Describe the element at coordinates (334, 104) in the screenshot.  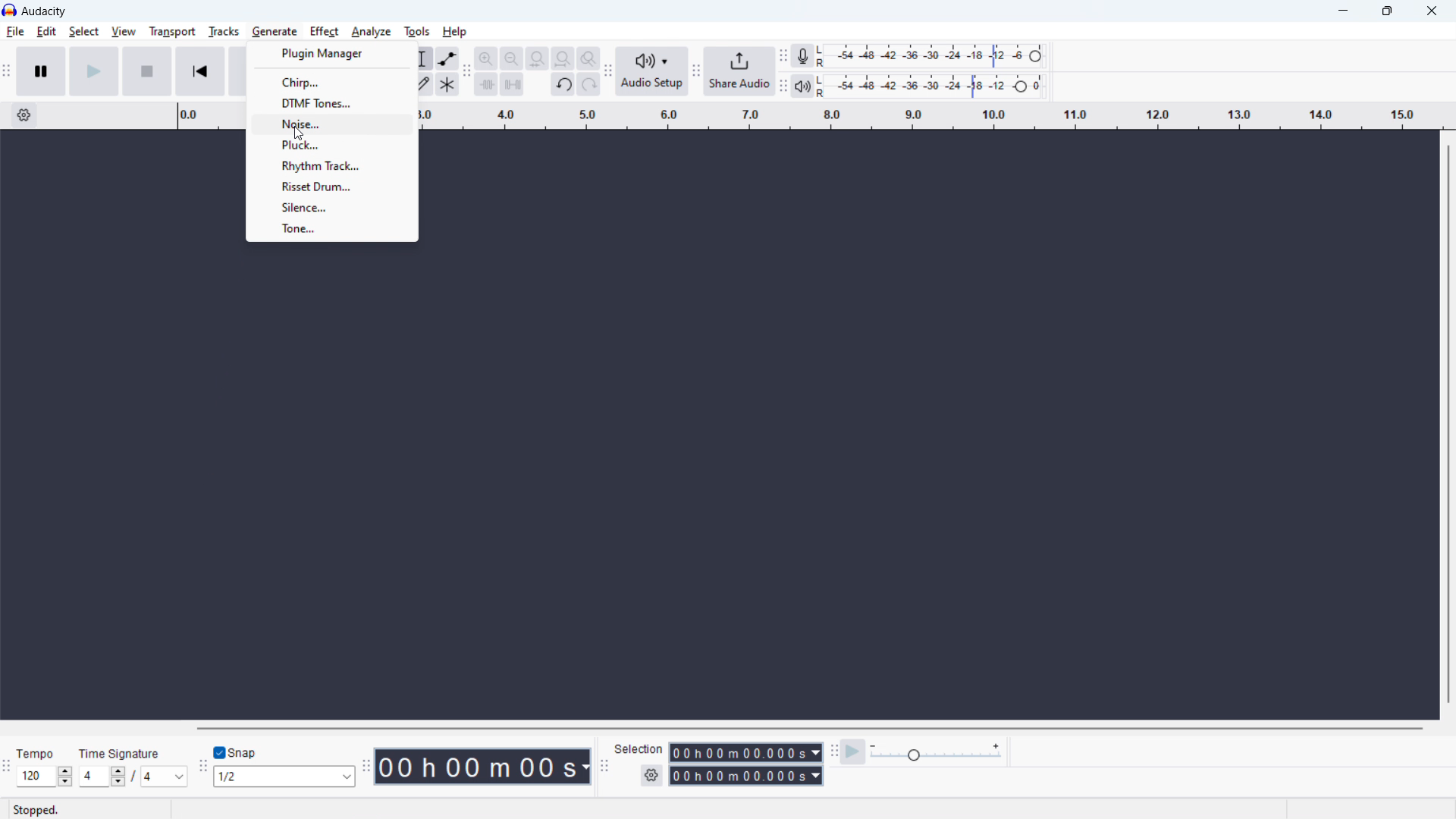
I see `dtmf tones` at that location.